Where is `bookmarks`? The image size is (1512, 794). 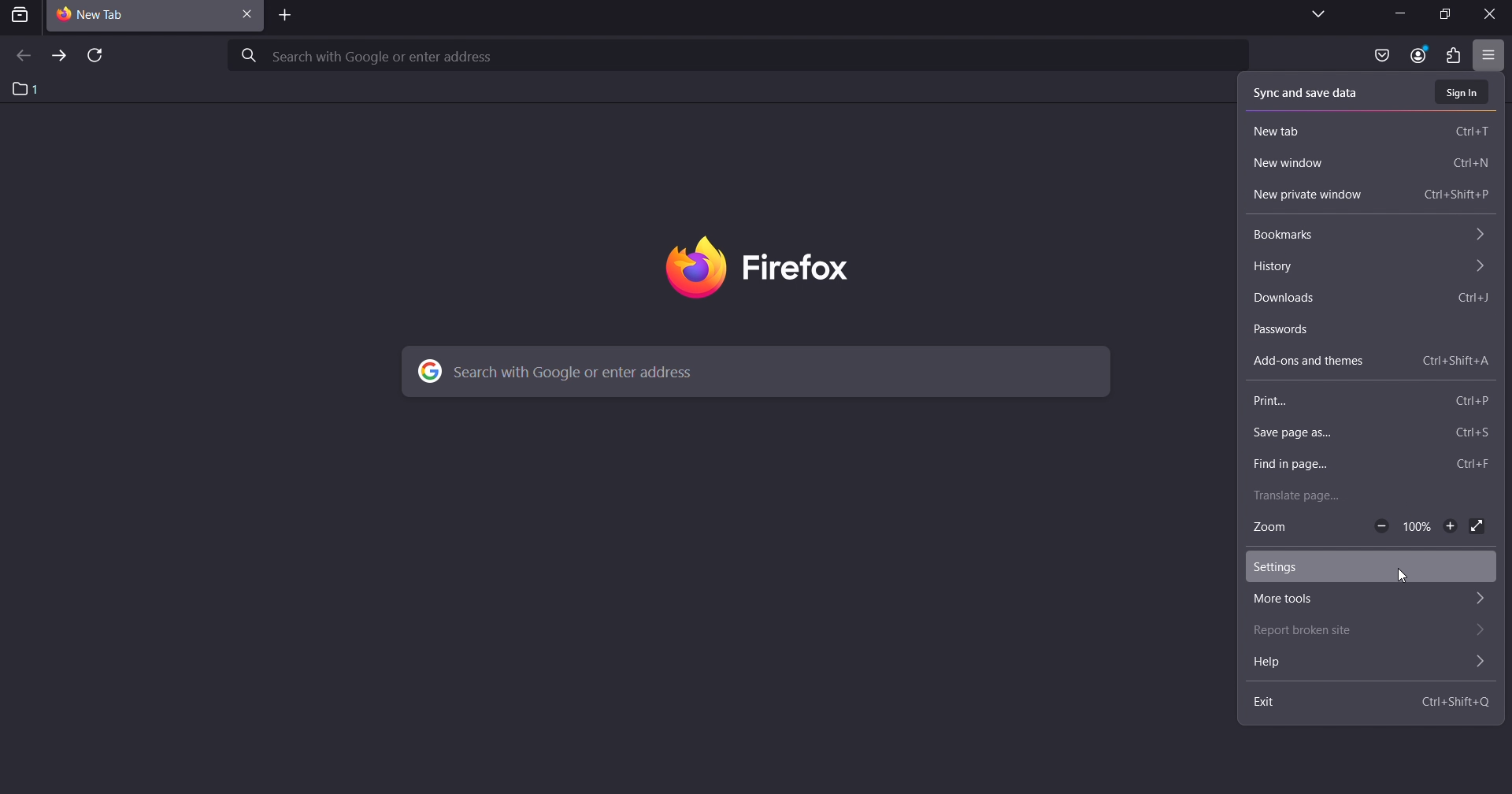
bookmarks is located at coordinates (1366, 236).